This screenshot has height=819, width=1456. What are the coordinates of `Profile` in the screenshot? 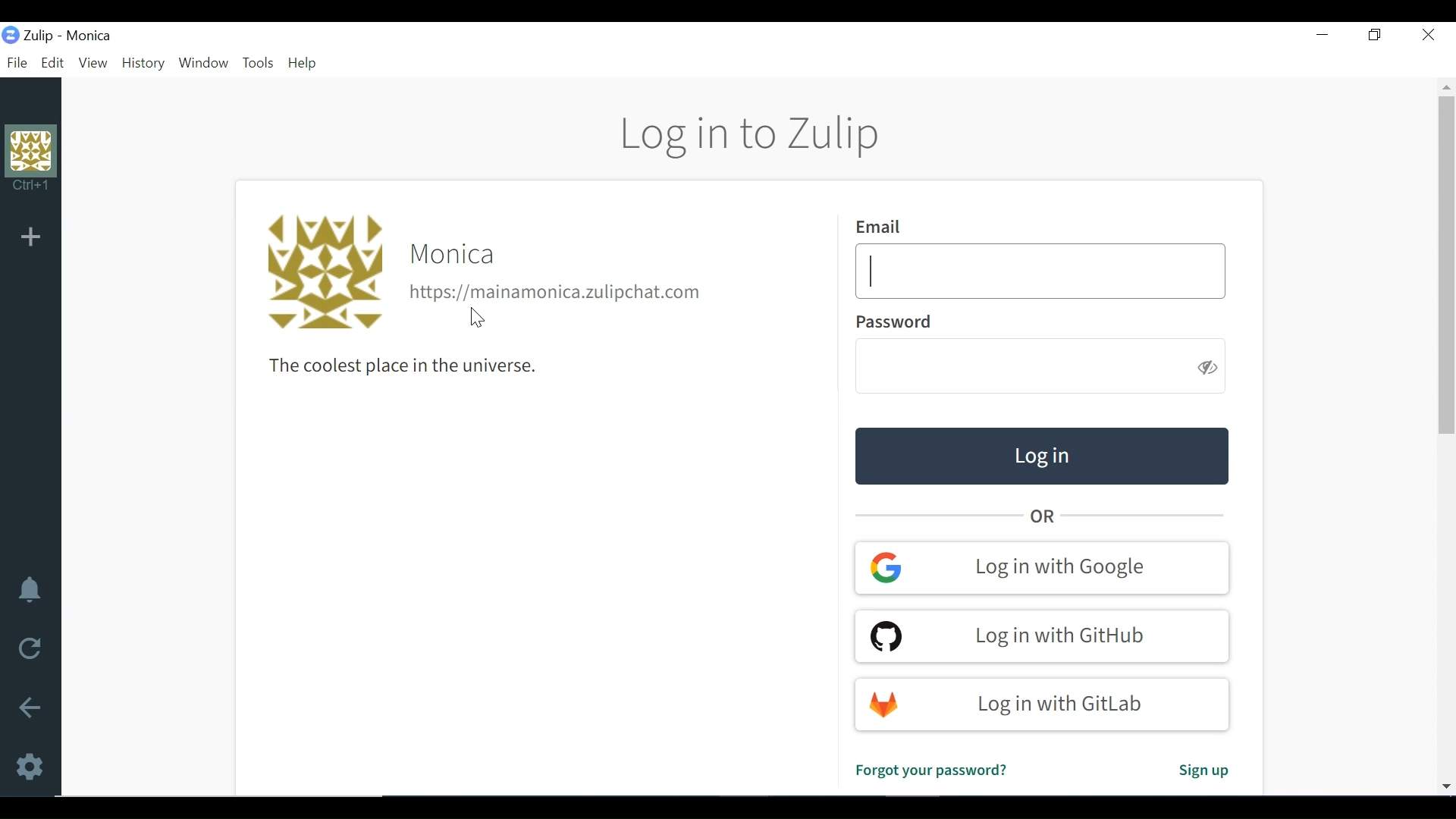 It's located at (31, 163).